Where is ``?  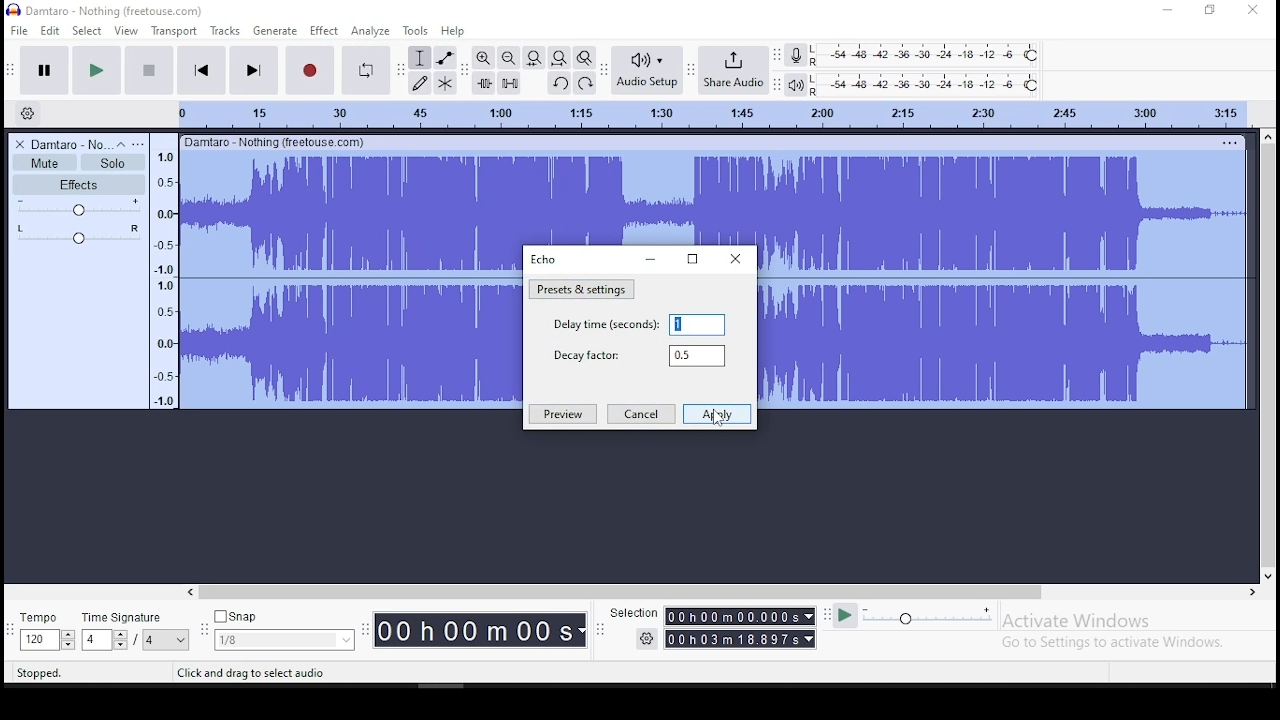  is located at coordinates (273, 141).